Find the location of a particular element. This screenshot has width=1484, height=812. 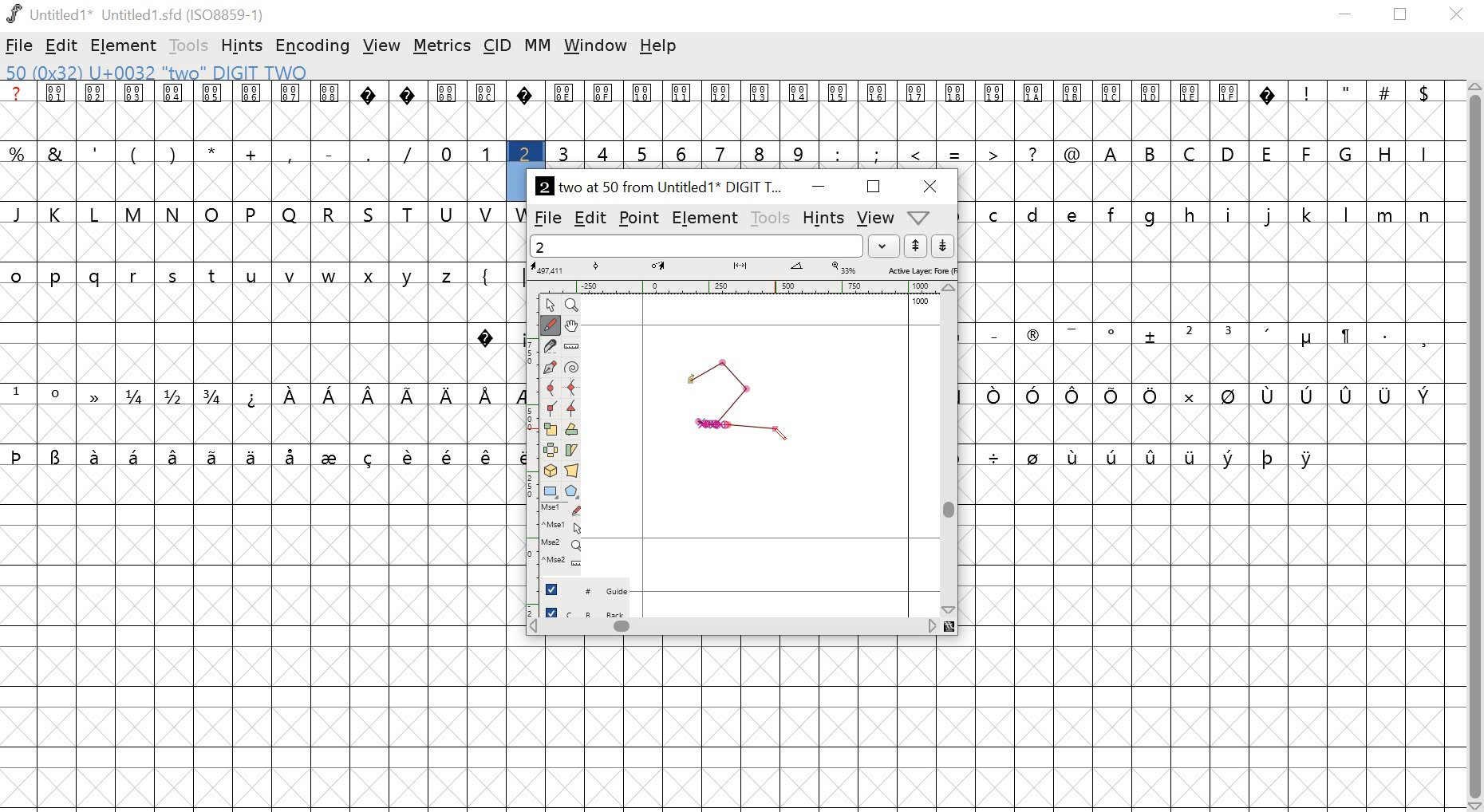

close is located at coordinates (930, 186).